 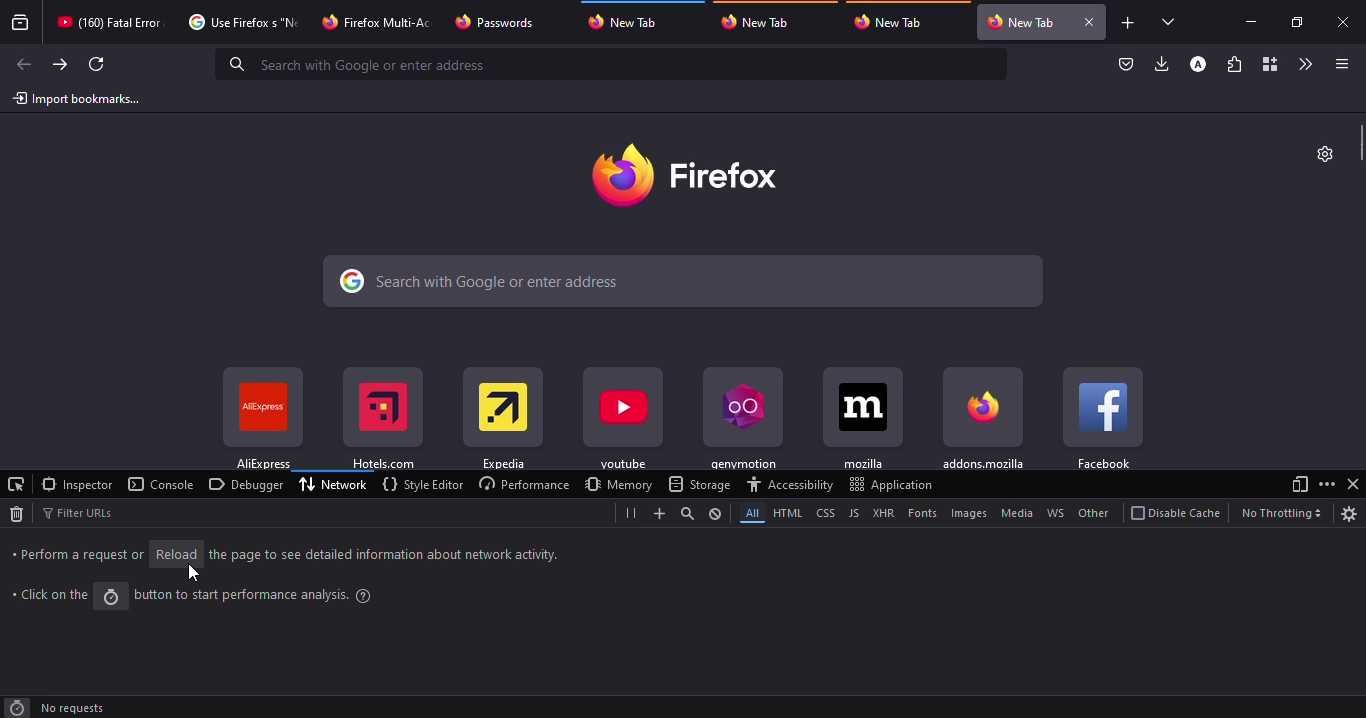 I want to click on xhr, so click(x=883, y=514).